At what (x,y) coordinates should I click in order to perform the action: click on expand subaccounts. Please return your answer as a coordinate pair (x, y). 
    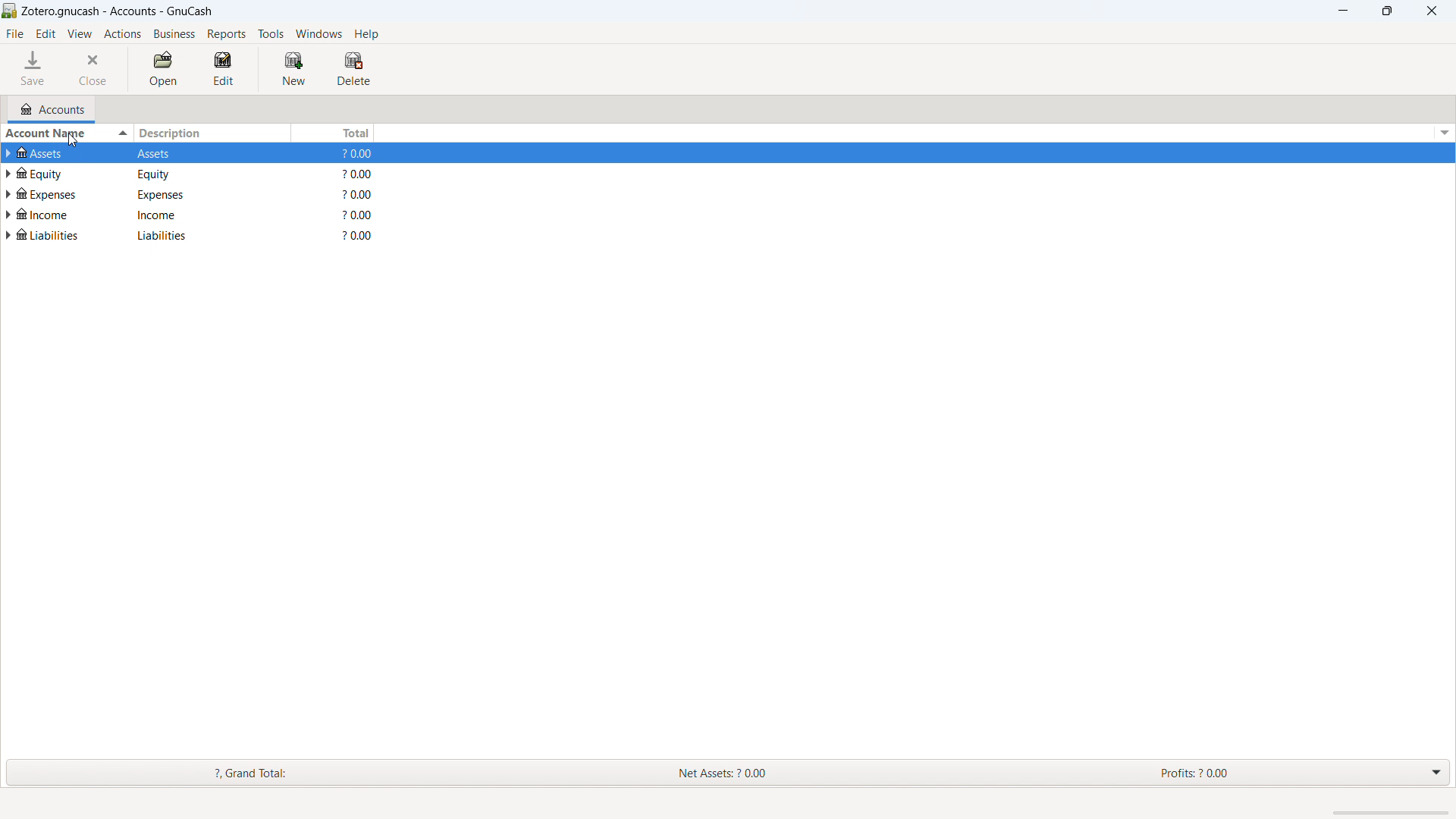
    Looking at the image, I should click on (9, 195).